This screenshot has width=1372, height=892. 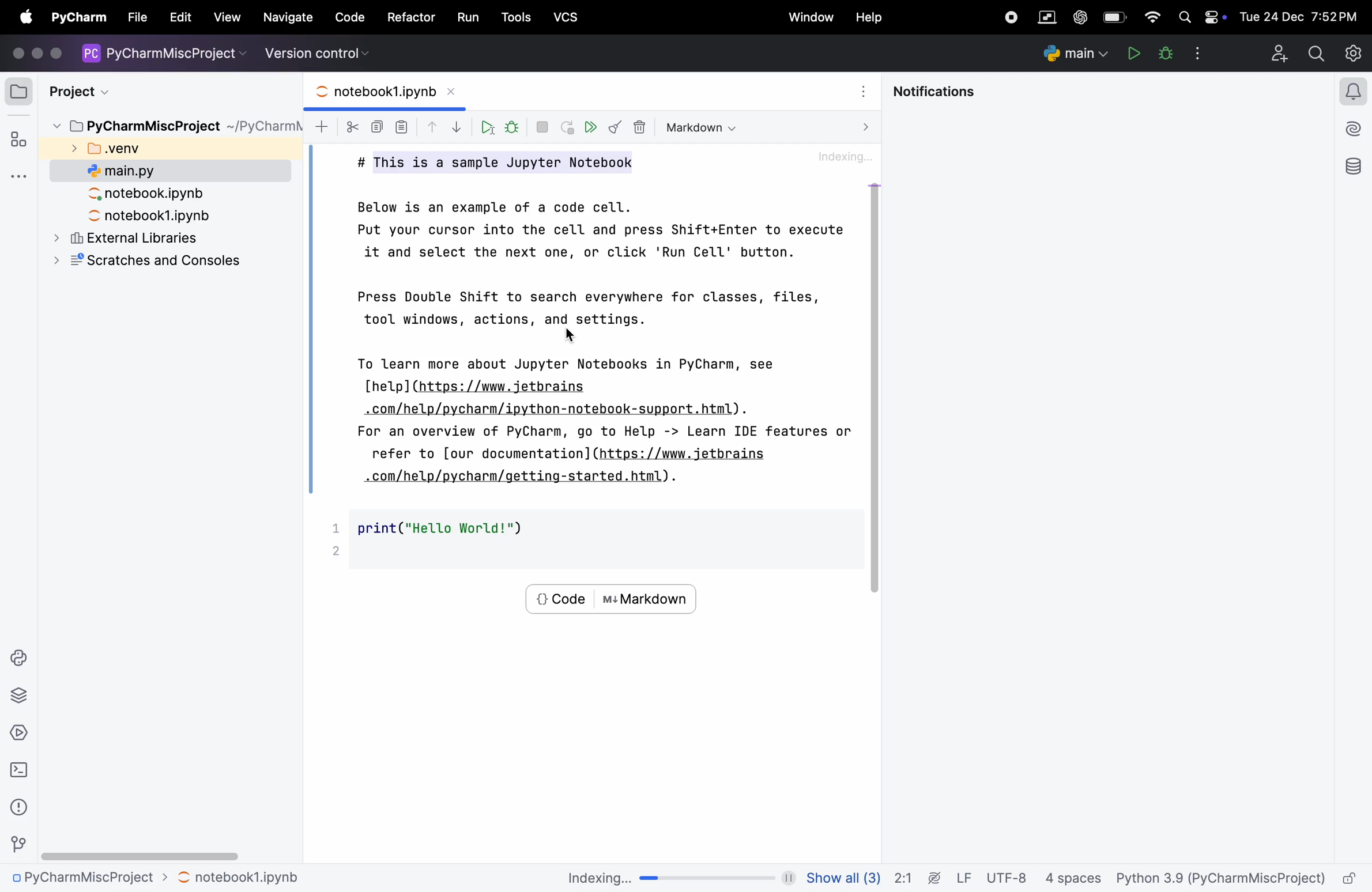 I want to click on folder, so click(x=19, y=91).